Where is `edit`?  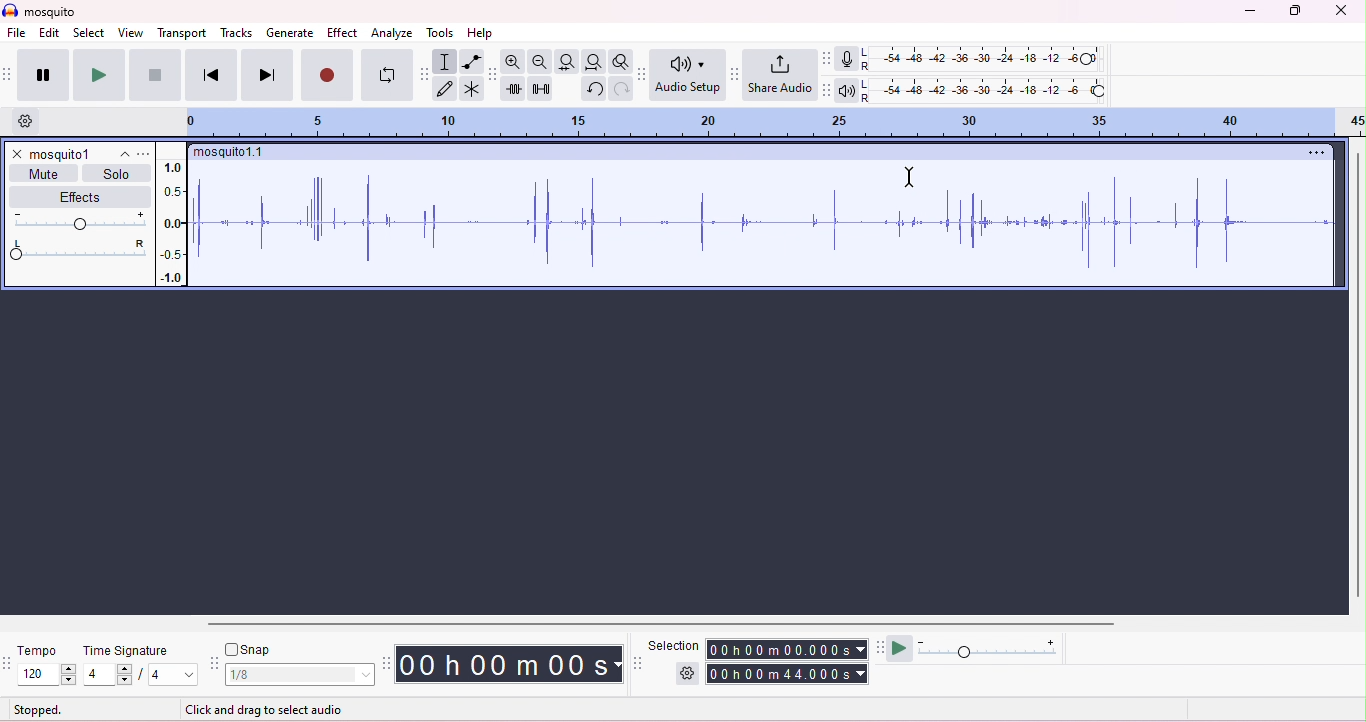
edit is located at coordinates (50, 34).